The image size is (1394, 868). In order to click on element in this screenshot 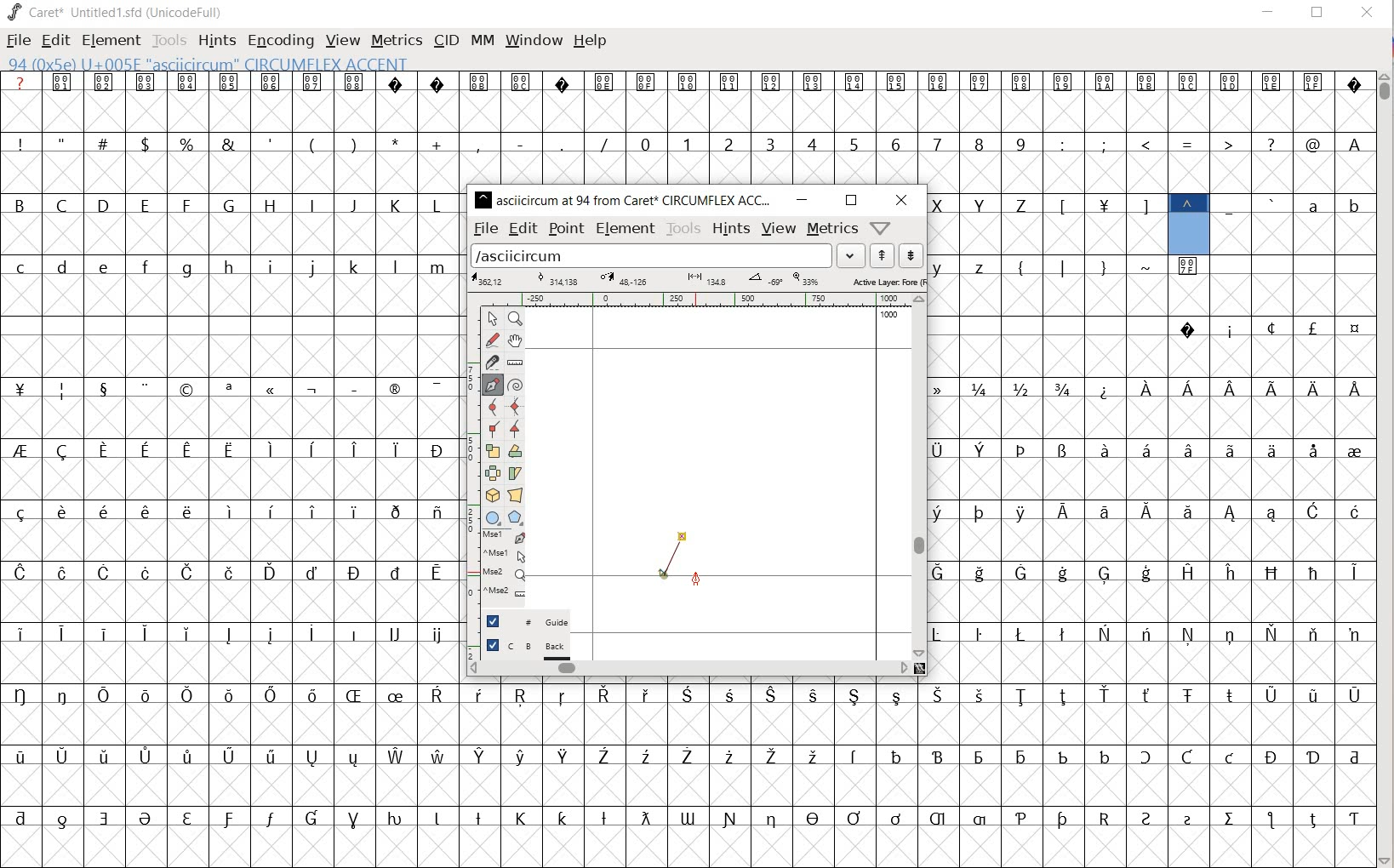, I will do `click(626, 228)`.